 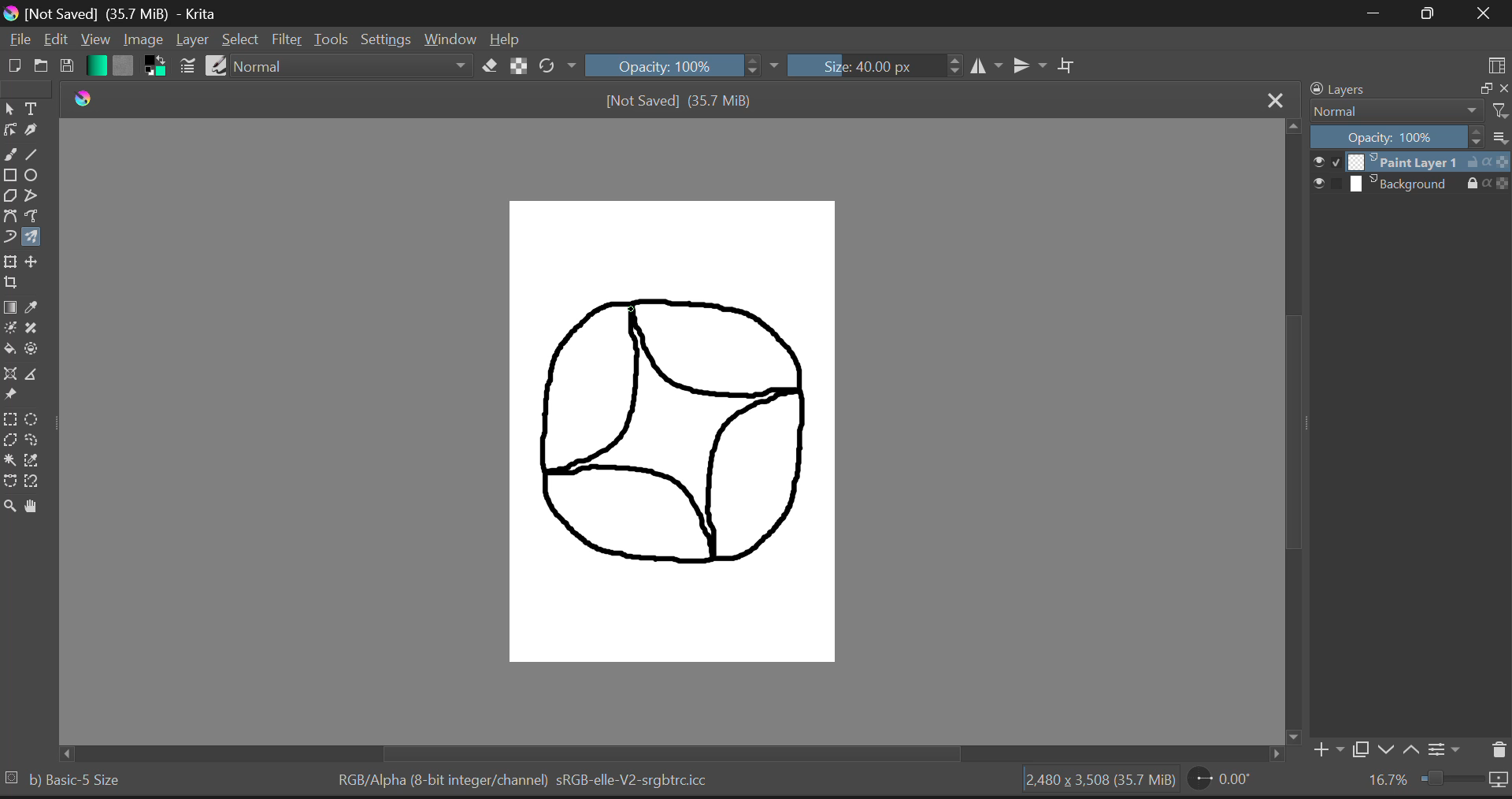 What do you see at coordinates (34, 351) in the screenshot?
I see `Enclose and Fill` at bounding box center [34, 351].